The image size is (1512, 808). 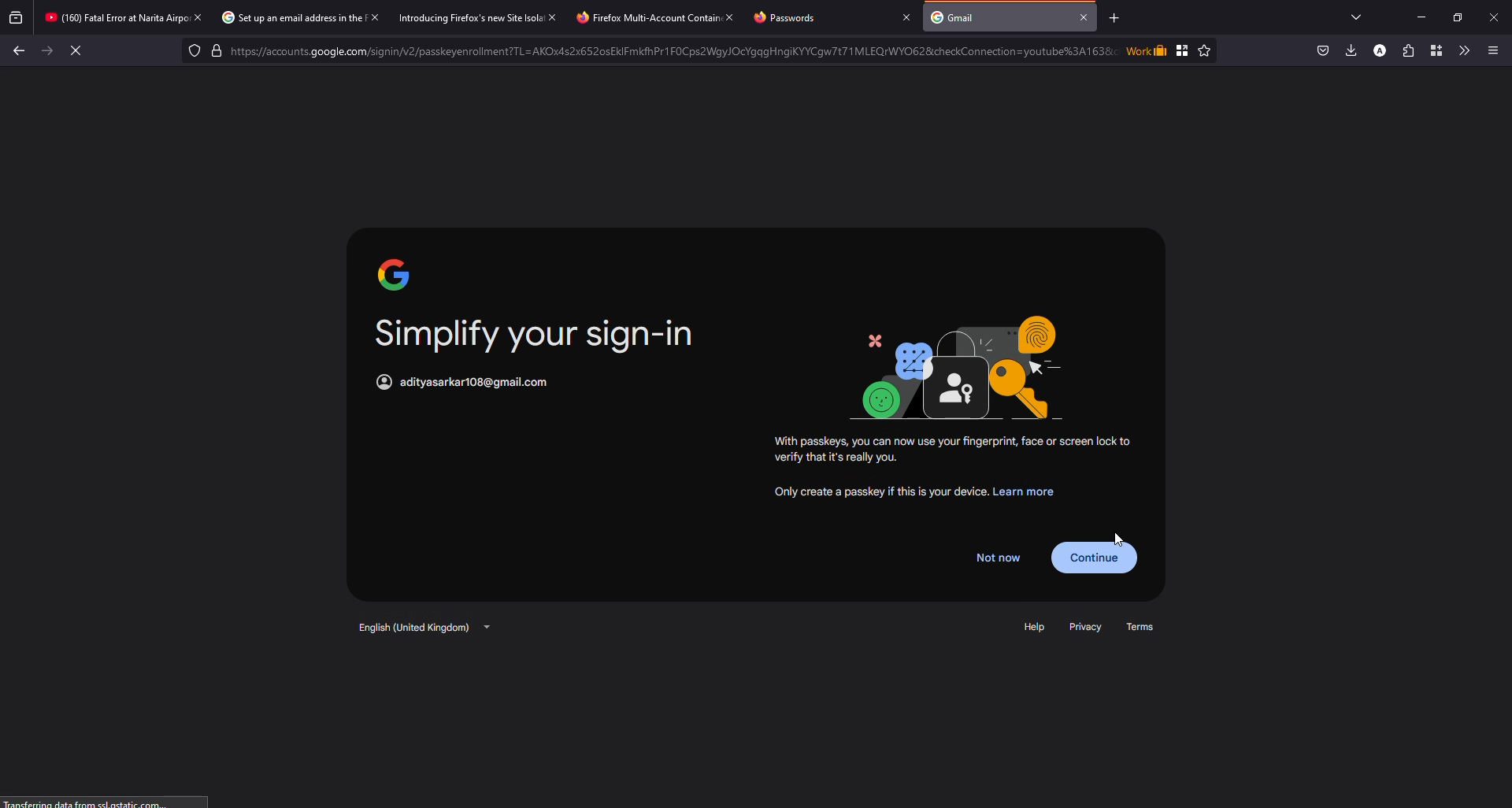 I want to click on Firefox Multi-Account, so click(x=632, y=18).